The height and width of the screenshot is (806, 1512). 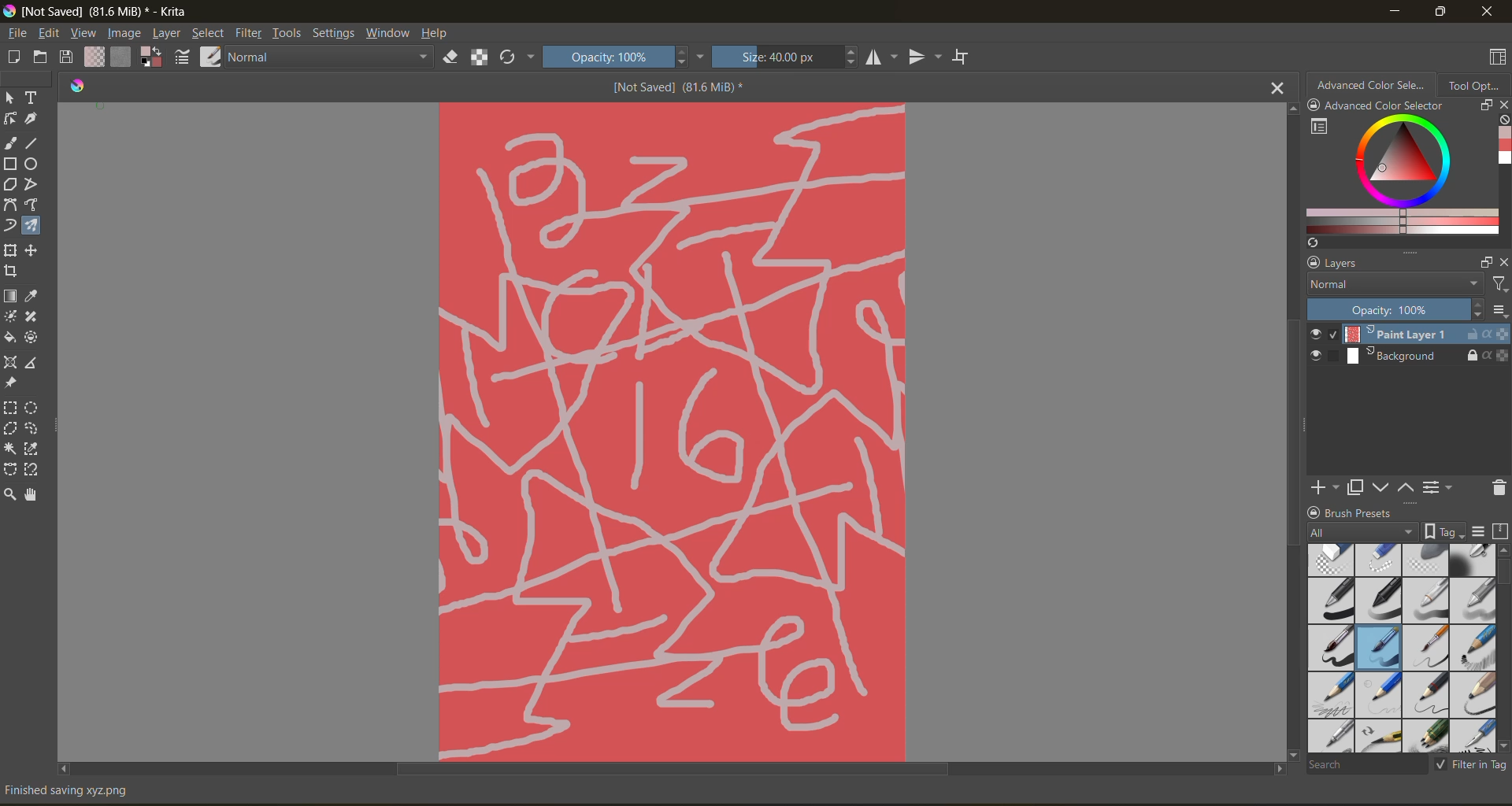 I want to click on choose brush preset, so click(x=209, y=56).